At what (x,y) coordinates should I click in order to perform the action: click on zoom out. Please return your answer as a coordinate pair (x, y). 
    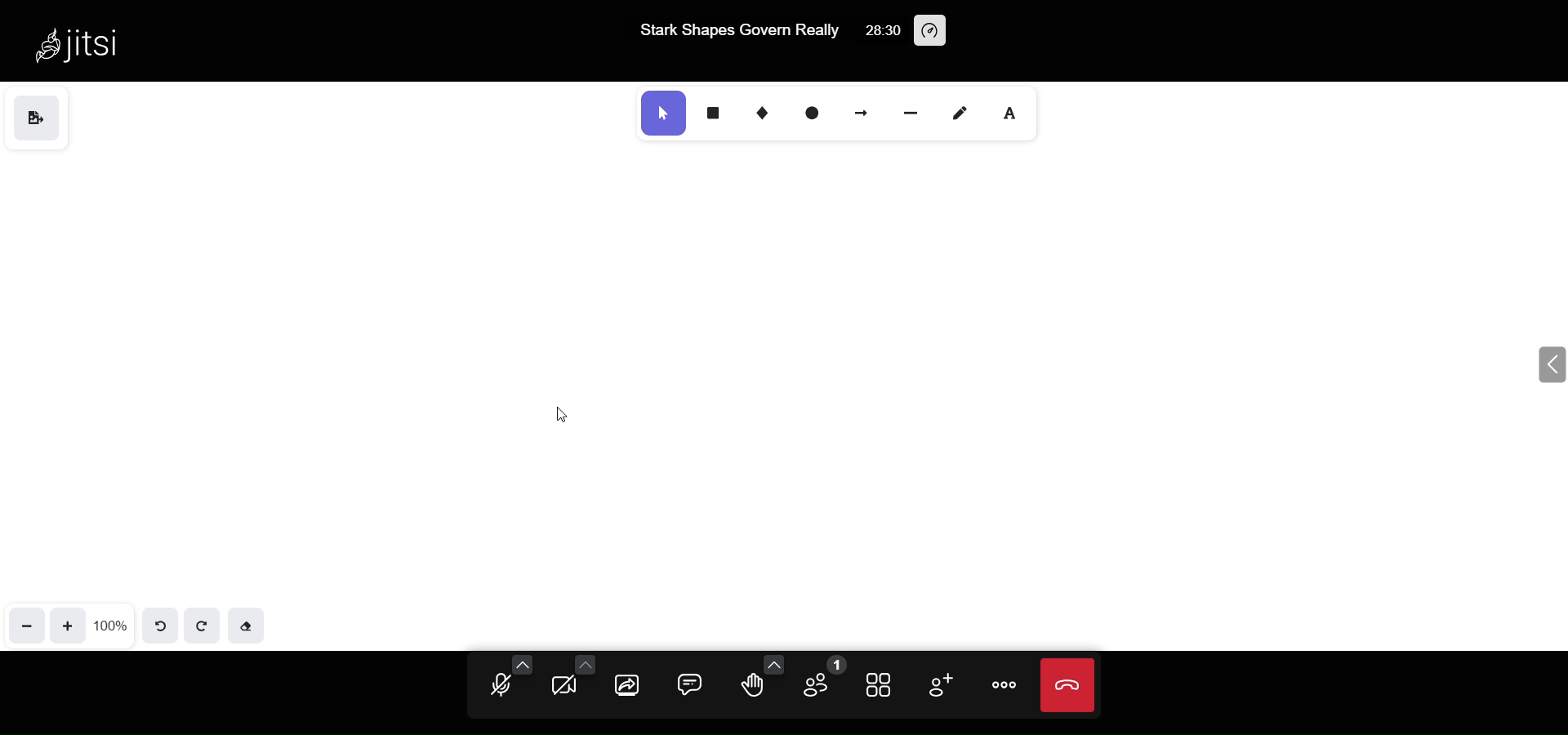
    Looking at the image, I should click on (28, 625).